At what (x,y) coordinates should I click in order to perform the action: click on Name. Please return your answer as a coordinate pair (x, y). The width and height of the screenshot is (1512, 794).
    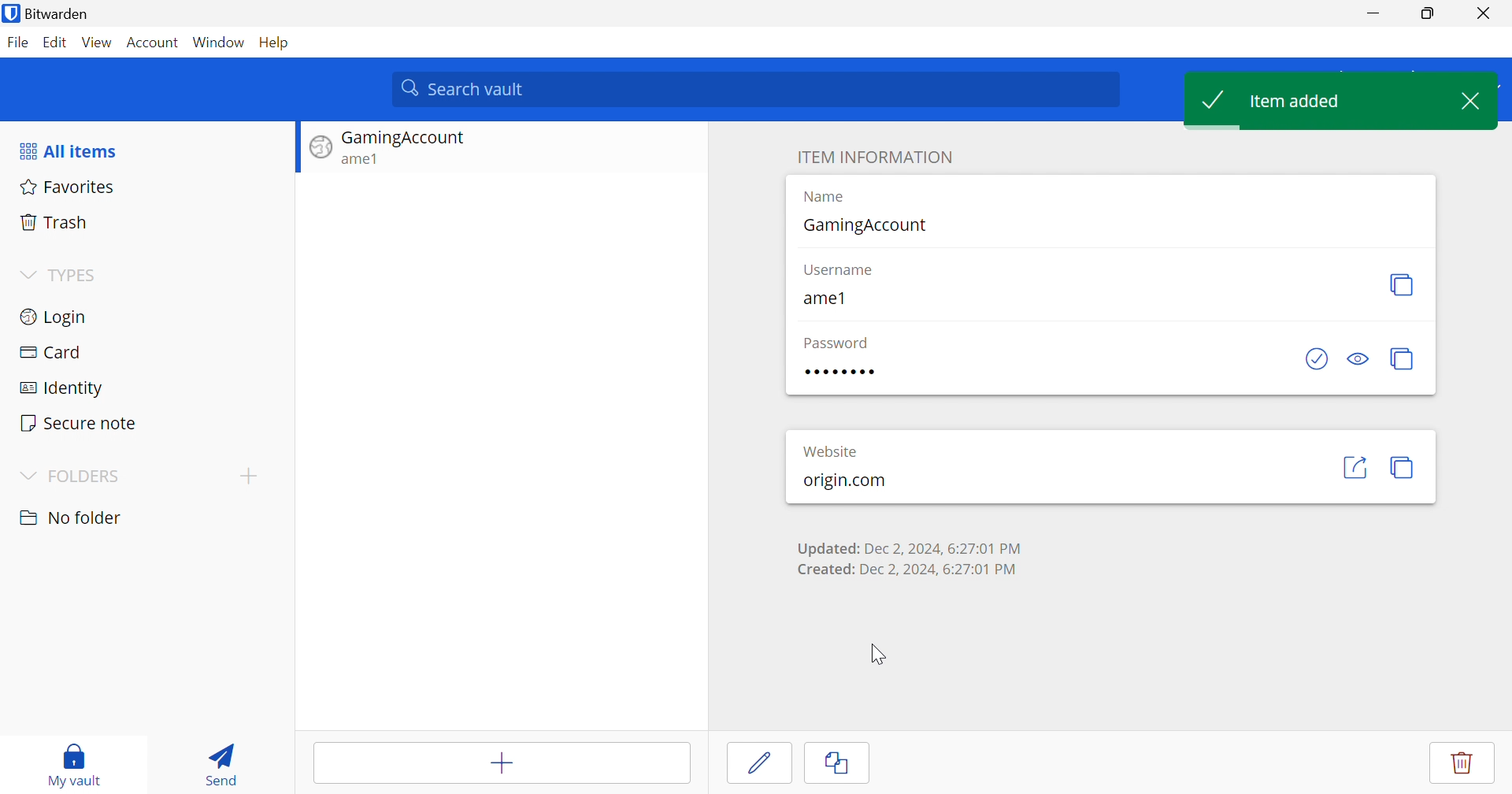
    Looking at the image, I should click on (832, 198).